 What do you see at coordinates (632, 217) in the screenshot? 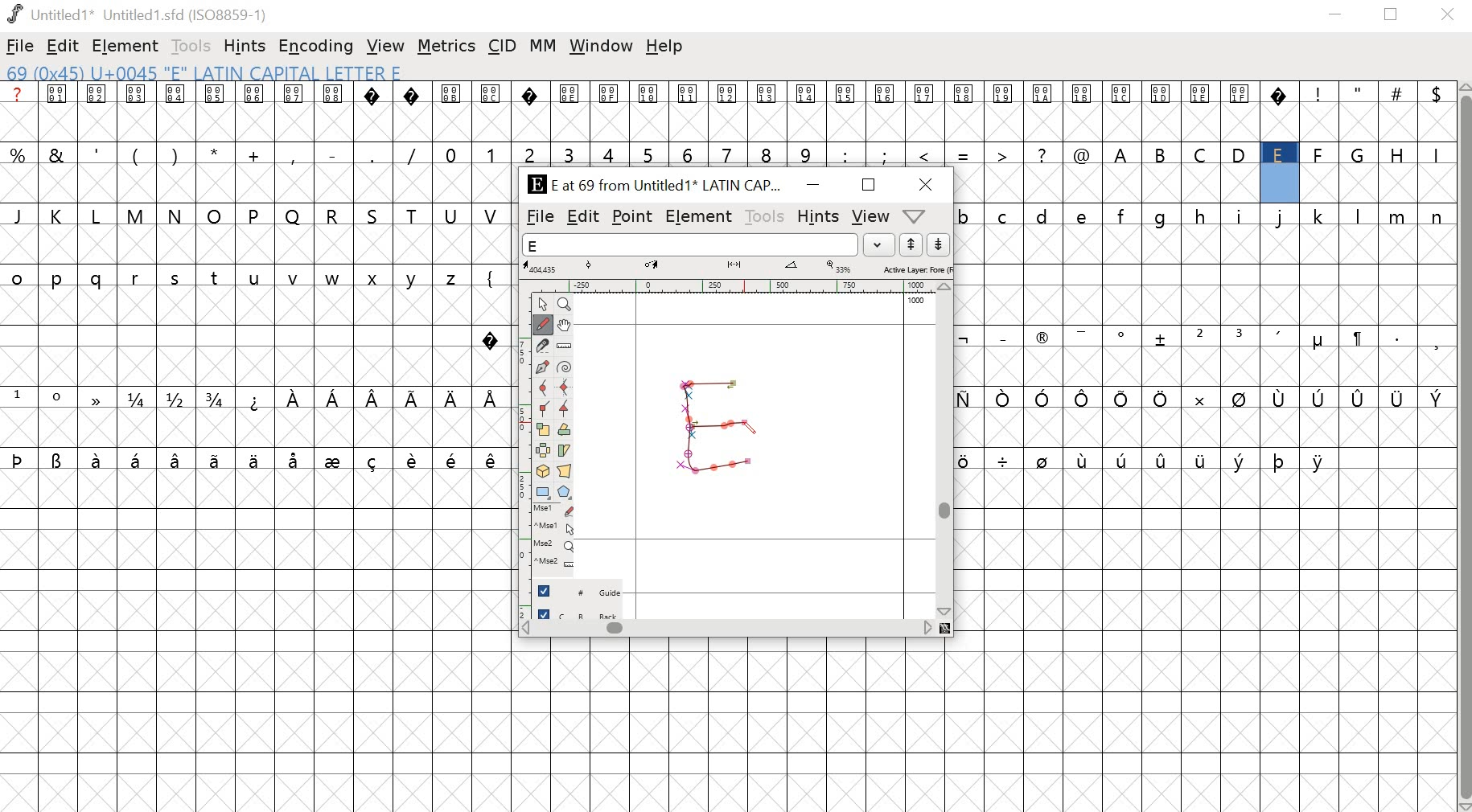
I see `point` at bounding box center [632, 217].